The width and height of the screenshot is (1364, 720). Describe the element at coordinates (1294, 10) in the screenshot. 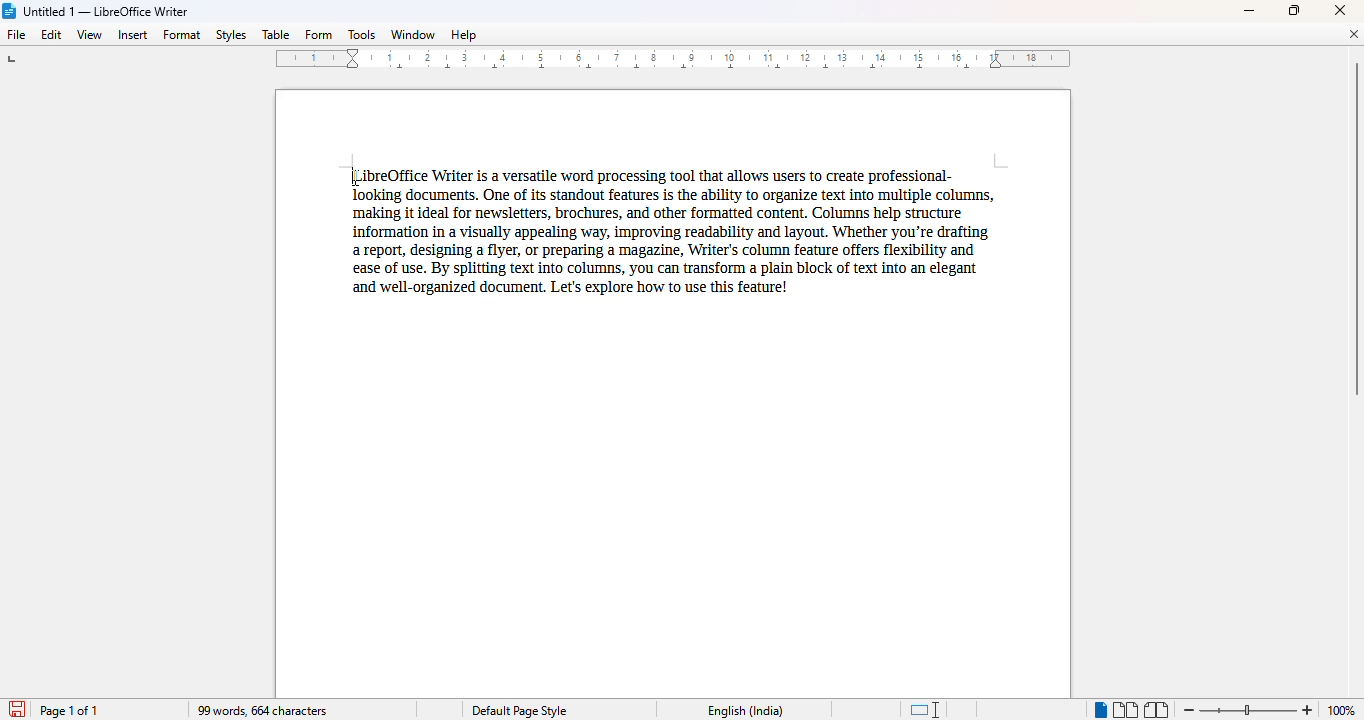

I see `maximize` at that location.